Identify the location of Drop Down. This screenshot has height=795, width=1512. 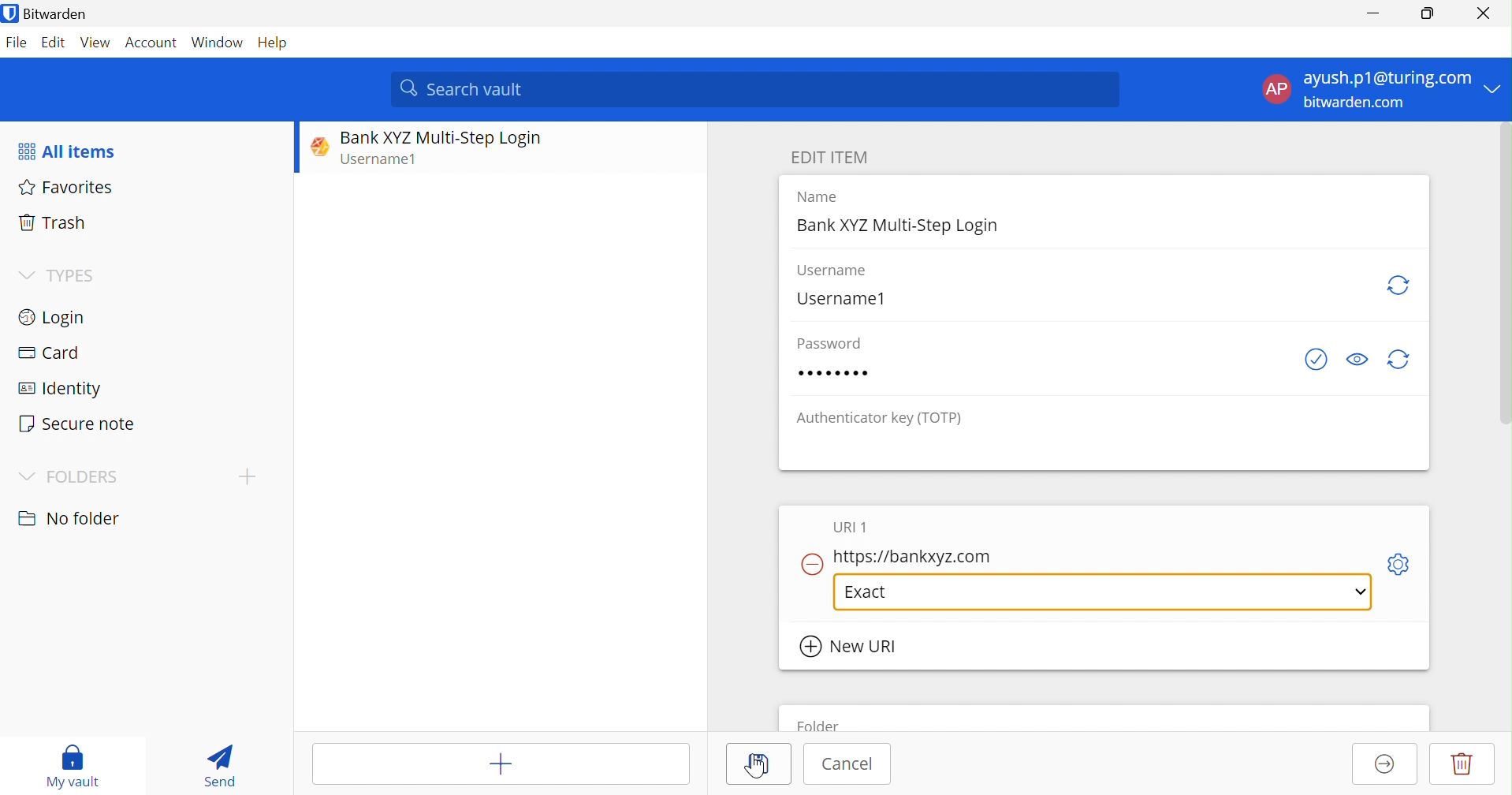
(1498, 89).